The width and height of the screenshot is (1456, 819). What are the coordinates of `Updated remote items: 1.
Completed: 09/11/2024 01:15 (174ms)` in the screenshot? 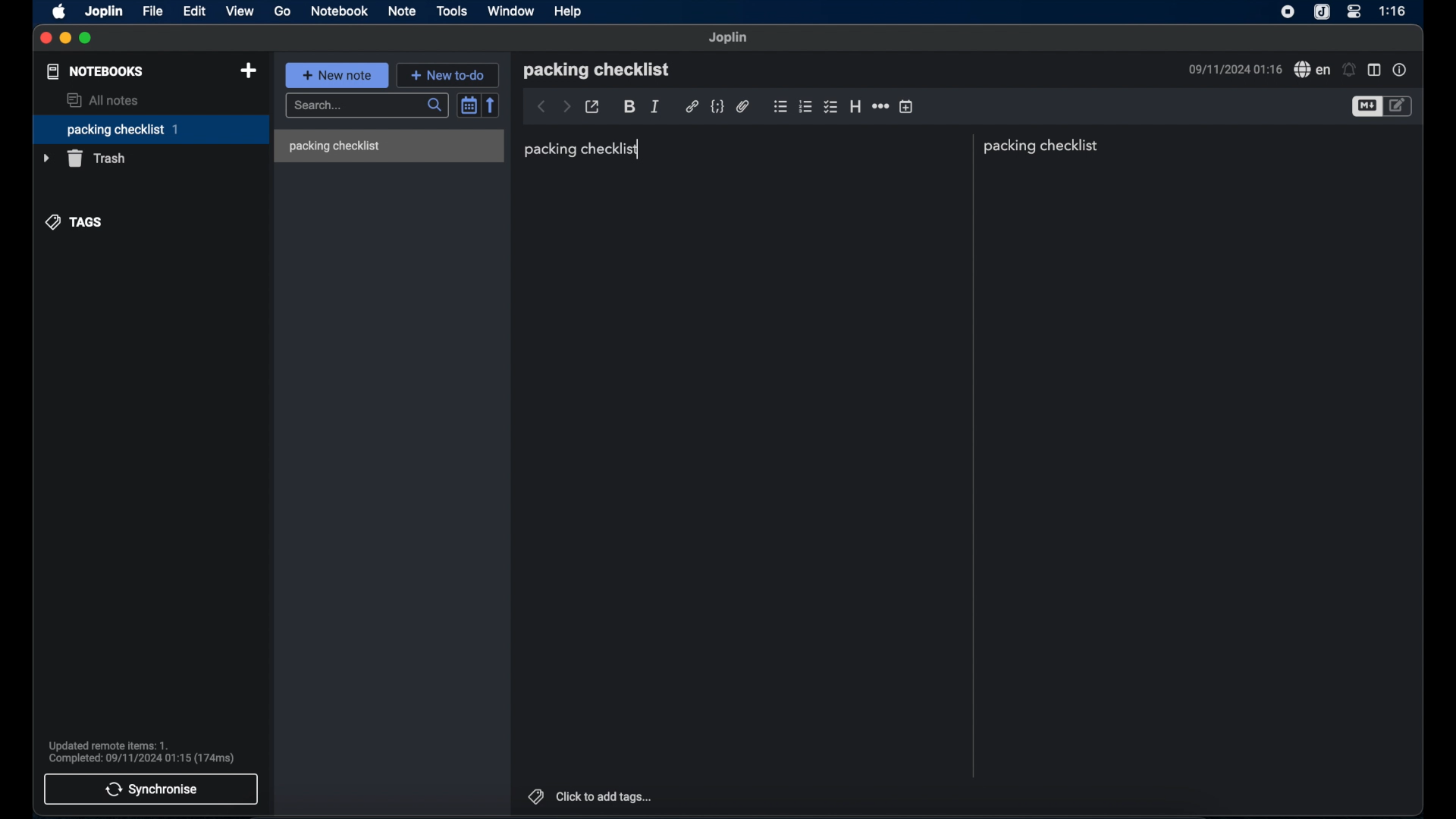 It's located at (144, 749).